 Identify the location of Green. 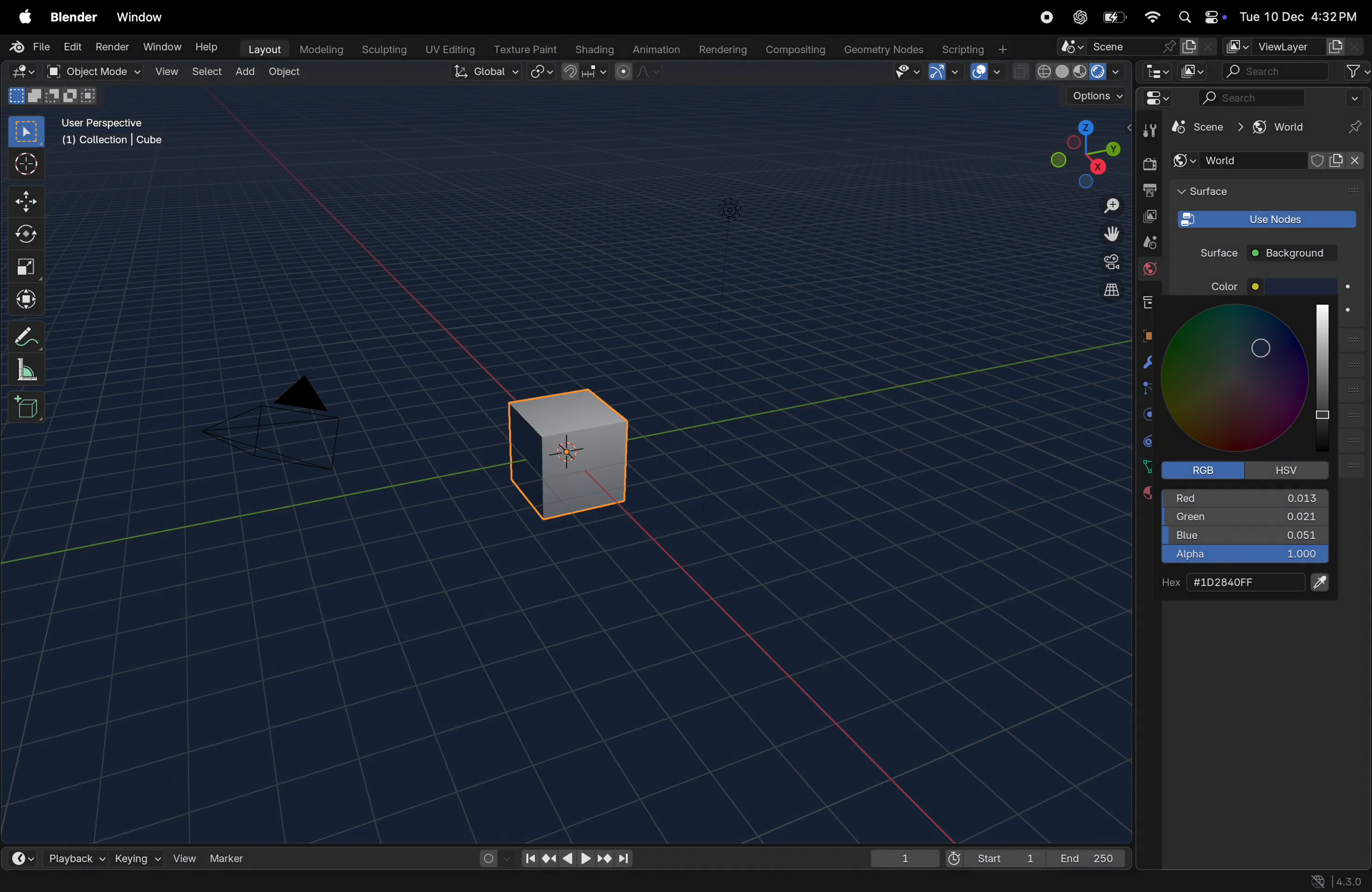
(1245, 521).